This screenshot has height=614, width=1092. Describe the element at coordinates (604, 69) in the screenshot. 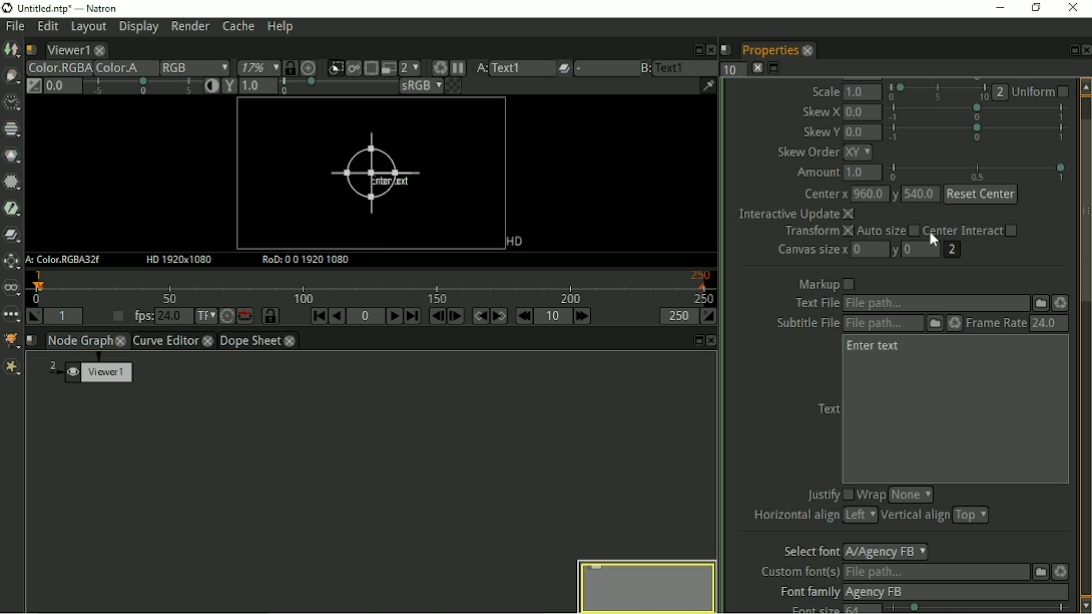

I see `menu` at that location.